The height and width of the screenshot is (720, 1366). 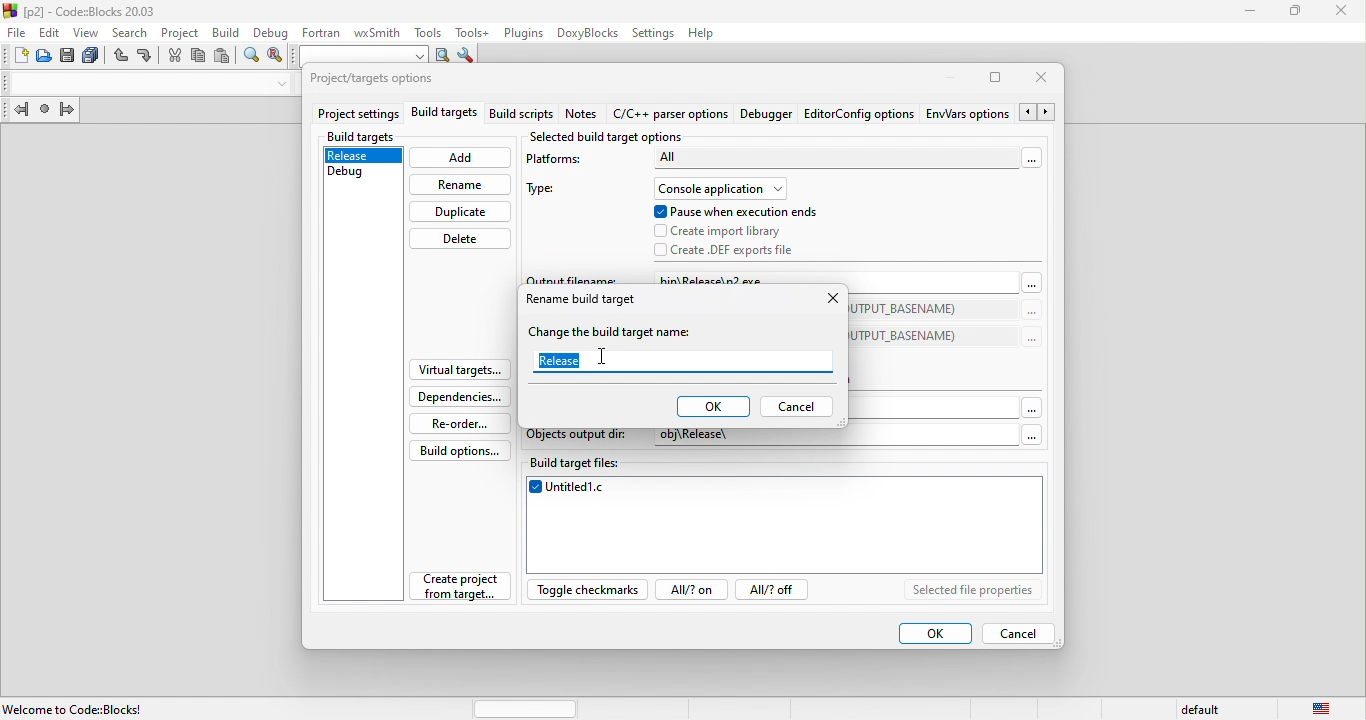 I want to click on output filename, so click(x=572, y=278).